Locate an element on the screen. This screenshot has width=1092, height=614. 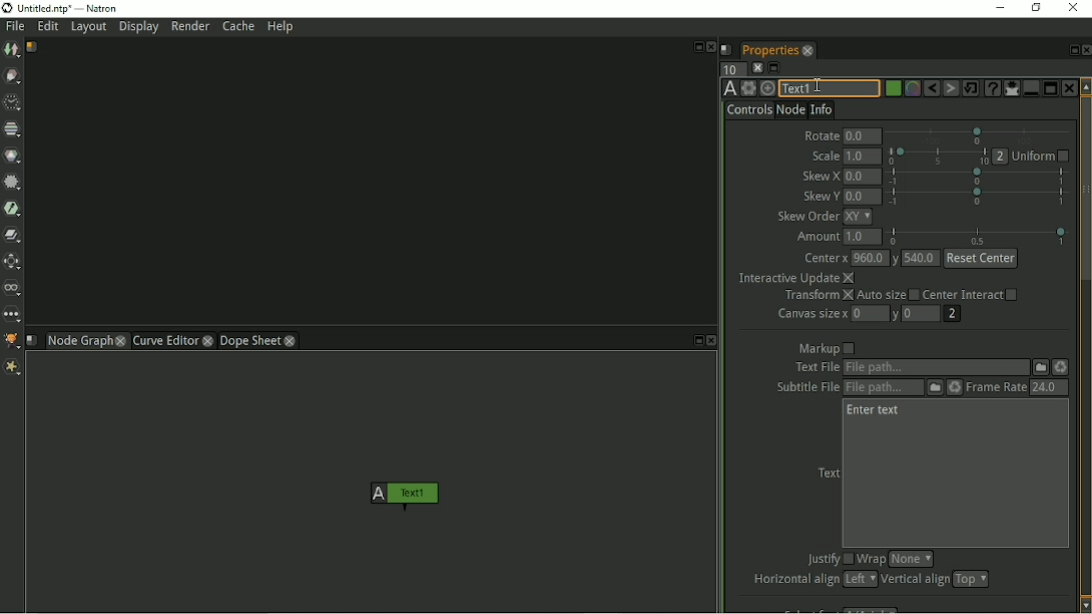
Transform is located at coordinates (14, 262).